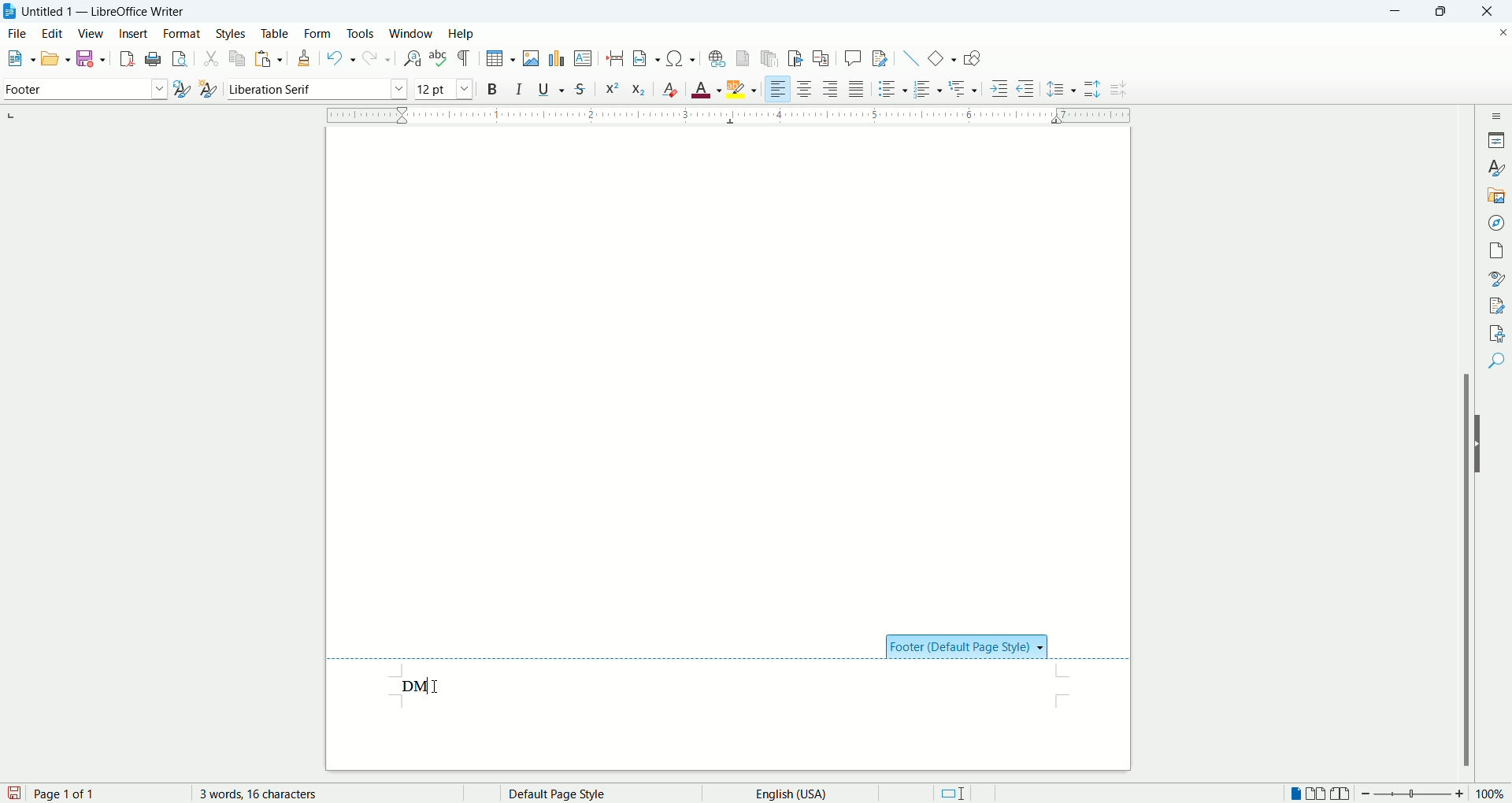 Image resolution: width=1512 pixels, height=803 pixels. What do you see at coordinates (520, 88) in the screenshot?
I see `italic` at bounding box center [520, 88].